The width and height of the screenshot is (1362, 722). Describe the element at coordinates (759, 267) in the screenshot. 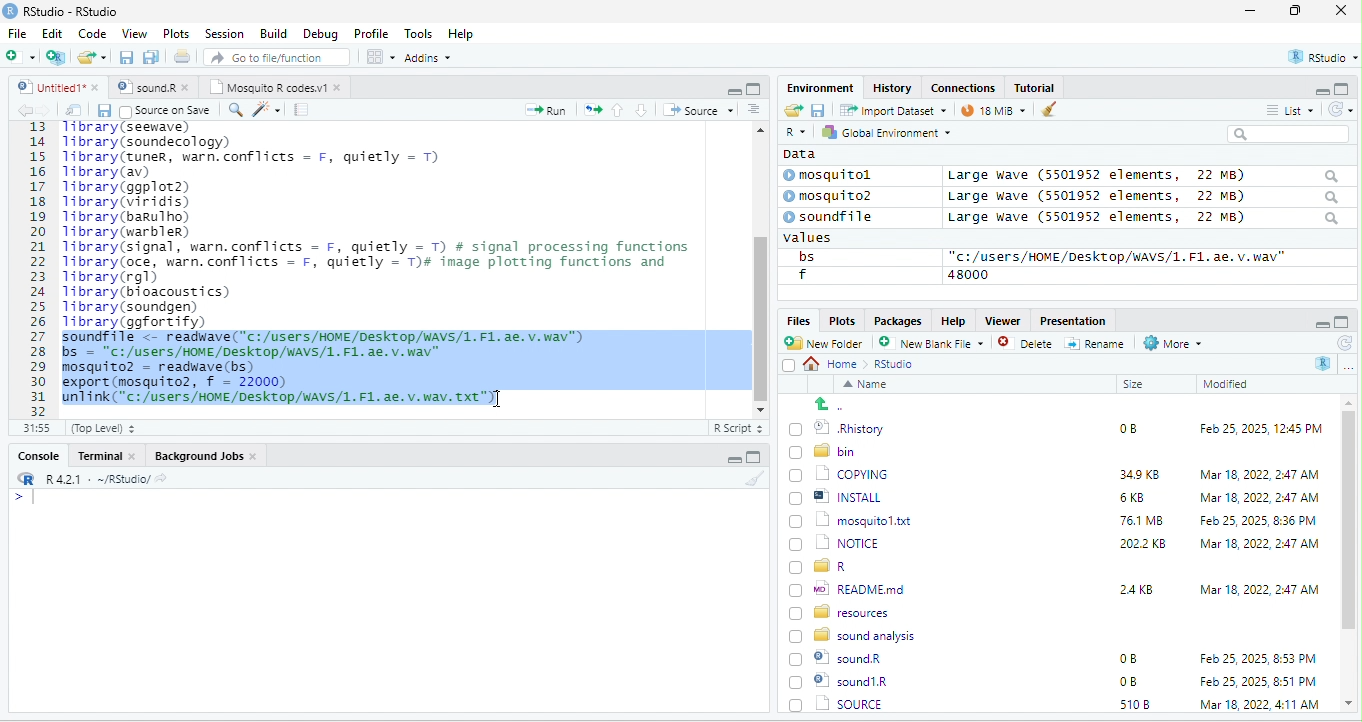

I see `scroll bar` at that location.